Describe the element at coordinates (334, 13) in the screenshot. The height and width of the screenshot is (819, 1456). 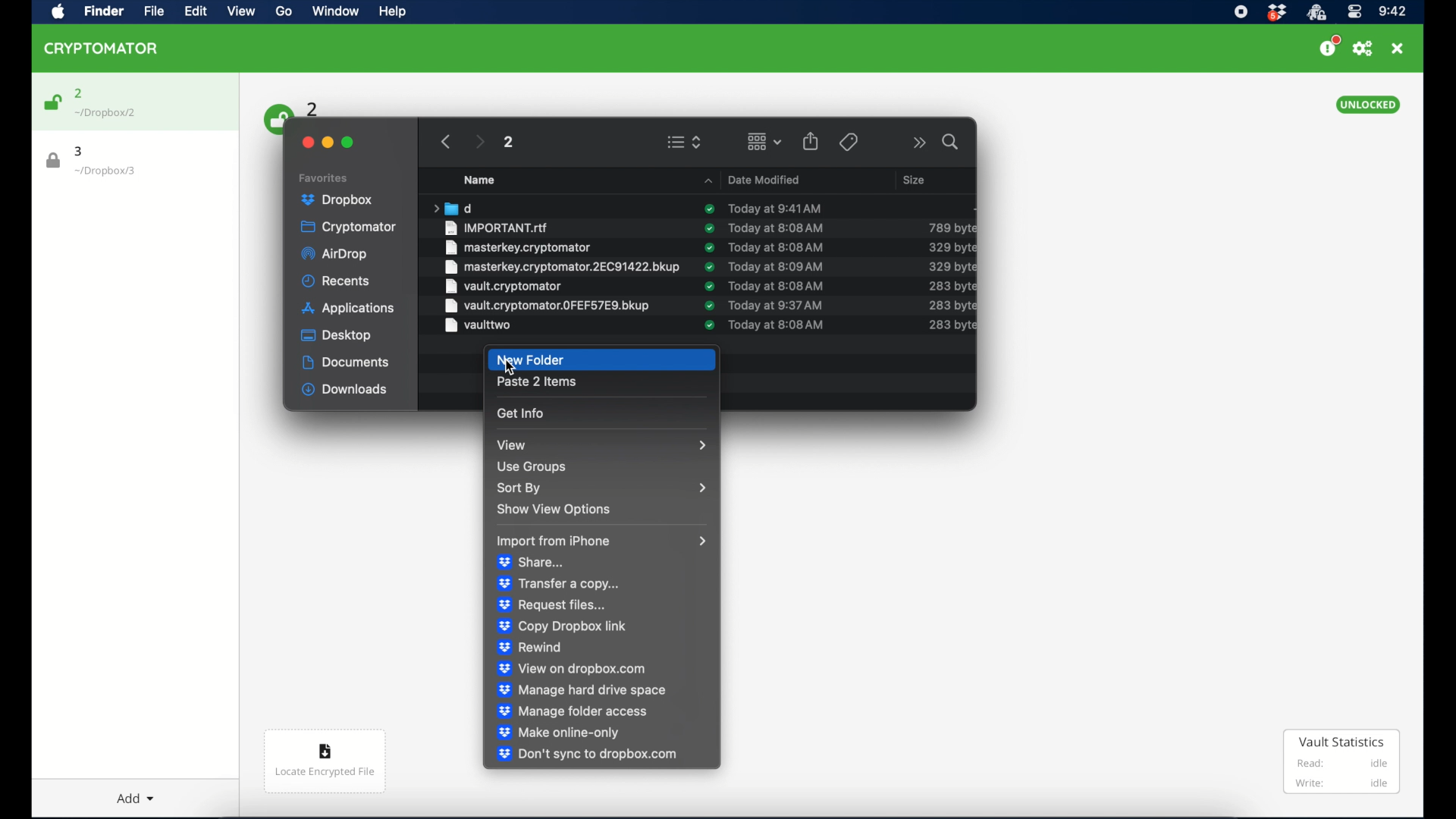
I see `window` at that location.